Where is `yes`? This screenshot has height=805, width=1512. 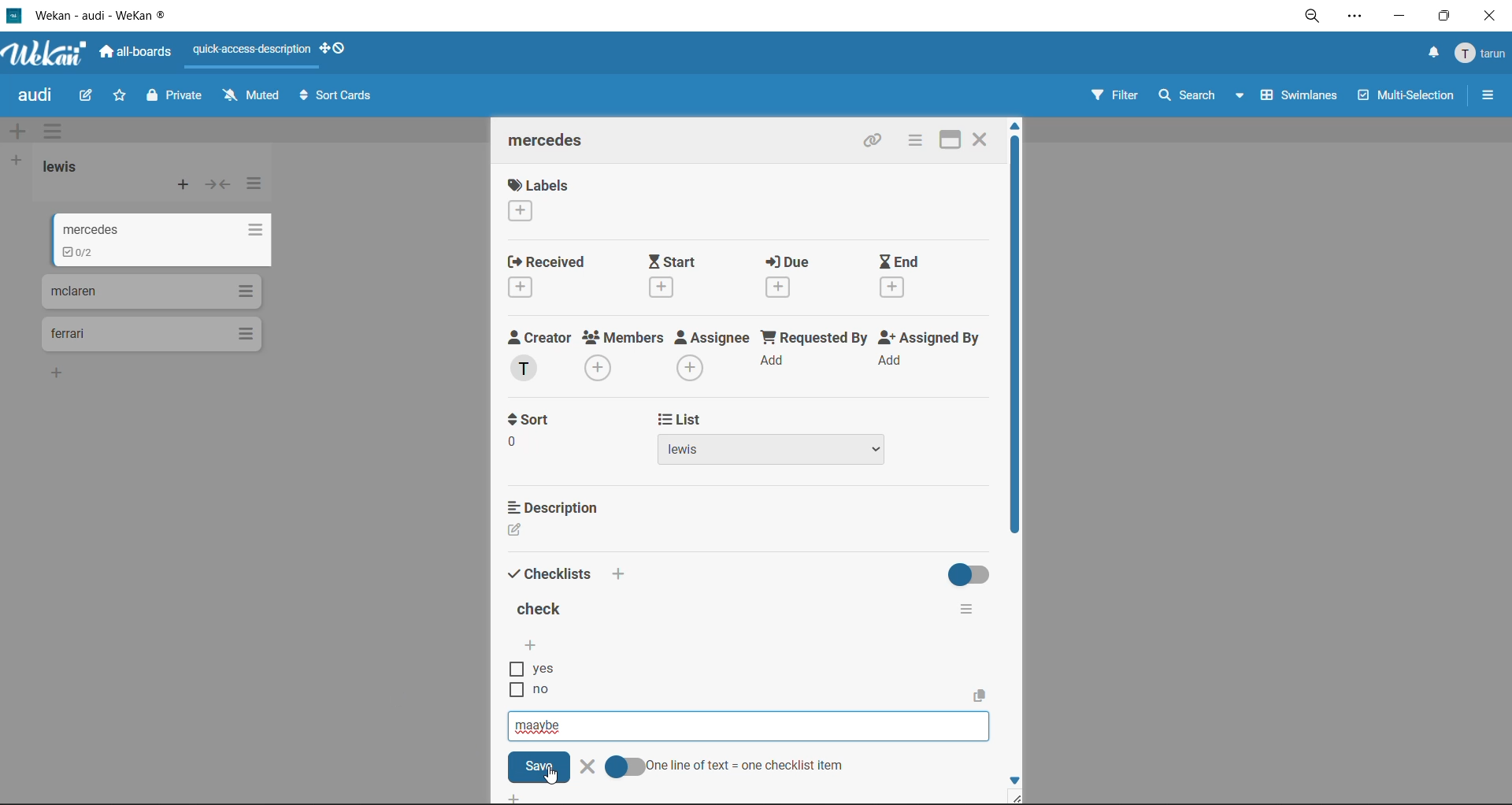 yes is located at coordinates (543, 668).